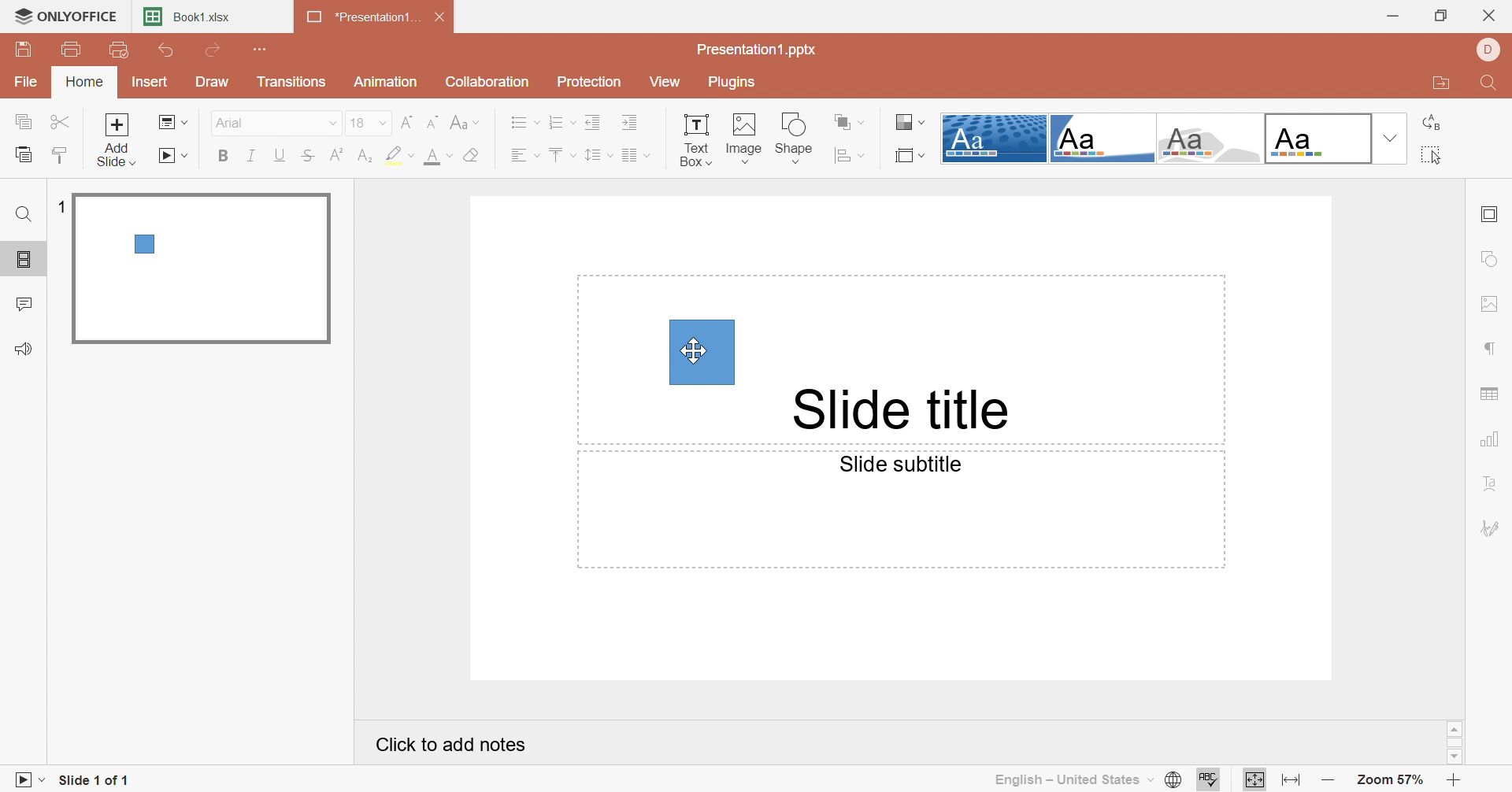 The height and width of the screenshot is (792, 1512). Describe the element at coordinates (1493, 528) in the screenshot. I see `Signature settings` at that location.